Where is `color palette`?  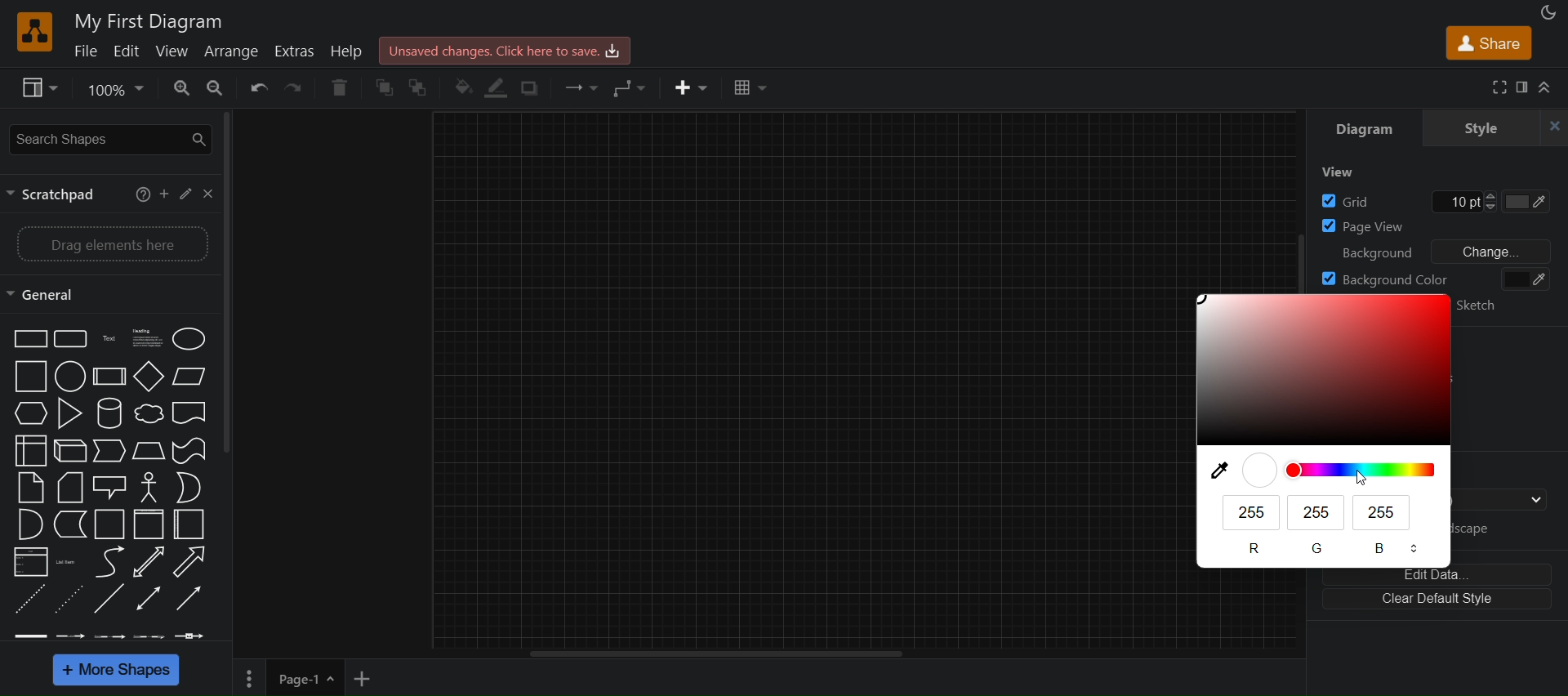
color palette is located at coordinates (1324, 431).